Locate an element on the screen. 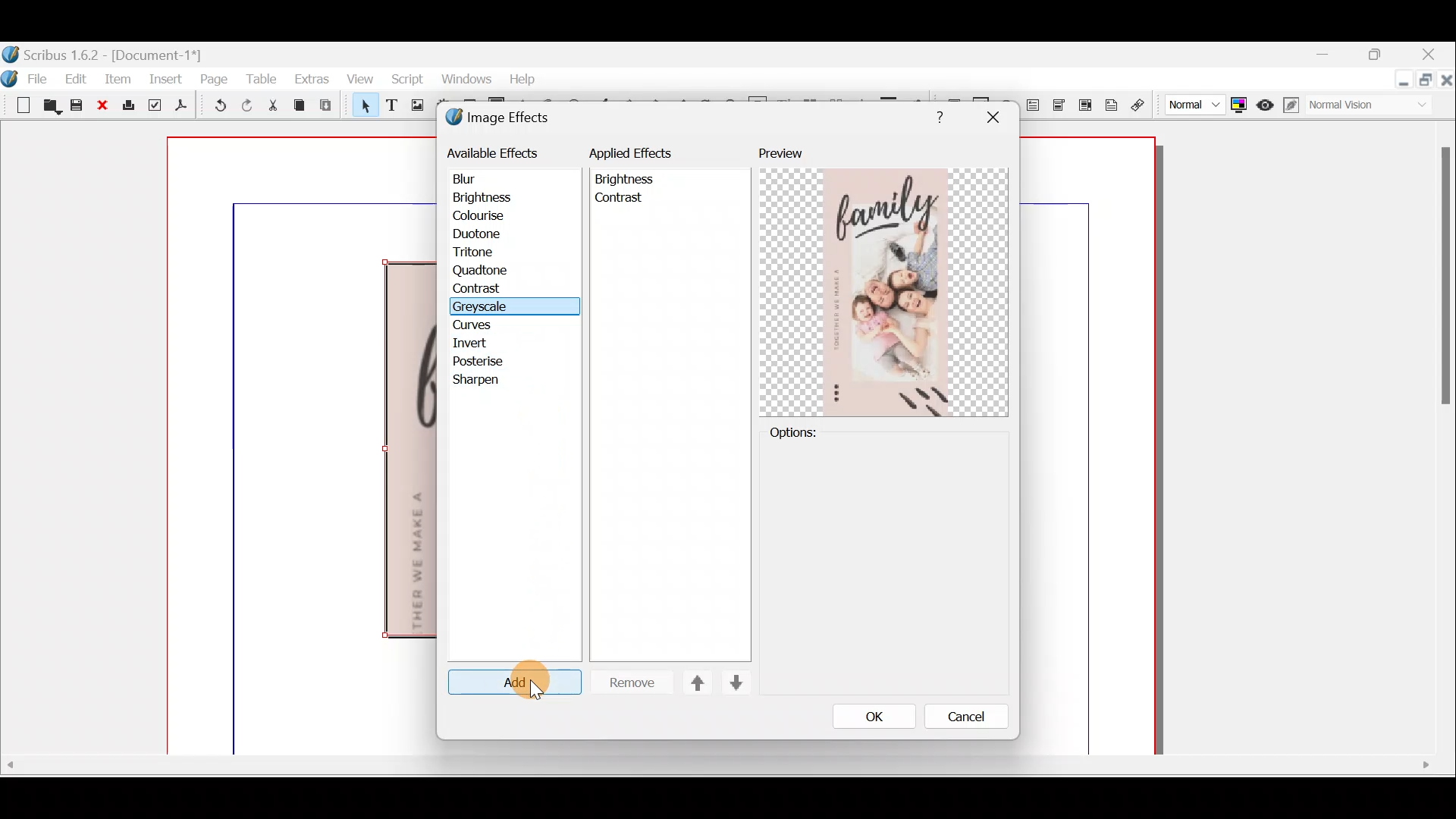  Scroll bar is located at coordinates (1436, 437).